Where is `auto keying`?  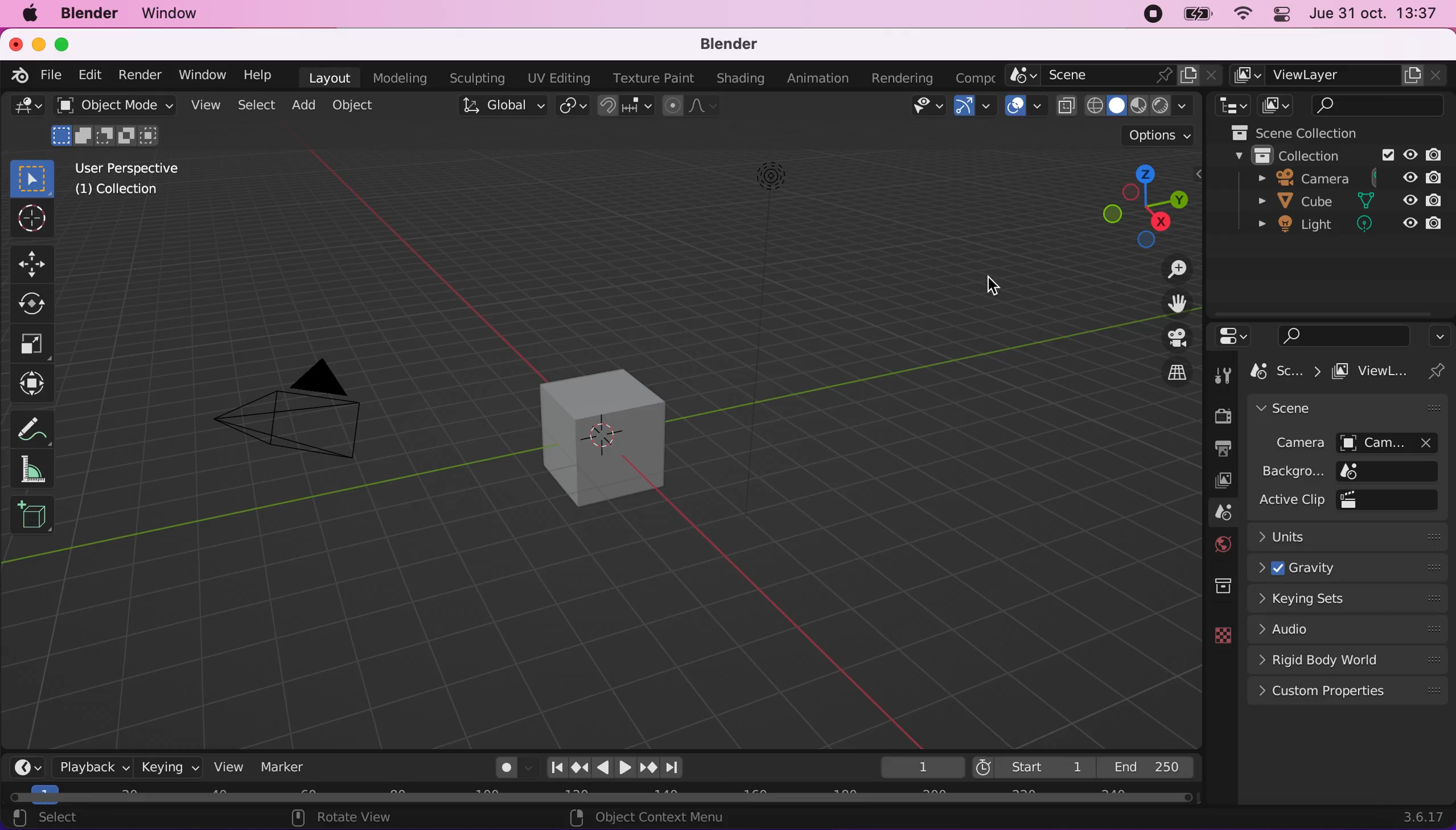
auto keying is located at coordinates (501, 768).